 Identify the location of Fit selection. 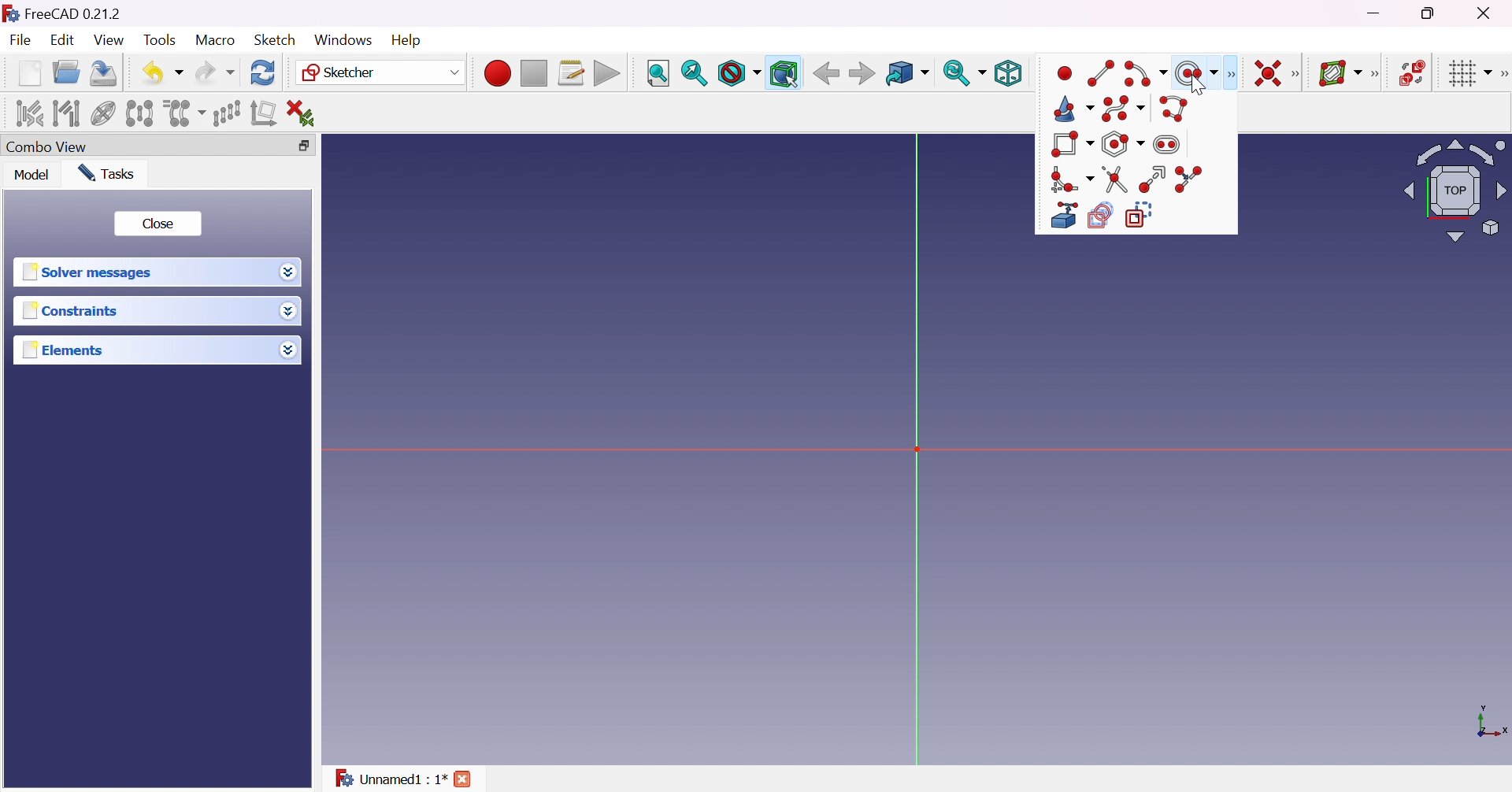
(694, 73).